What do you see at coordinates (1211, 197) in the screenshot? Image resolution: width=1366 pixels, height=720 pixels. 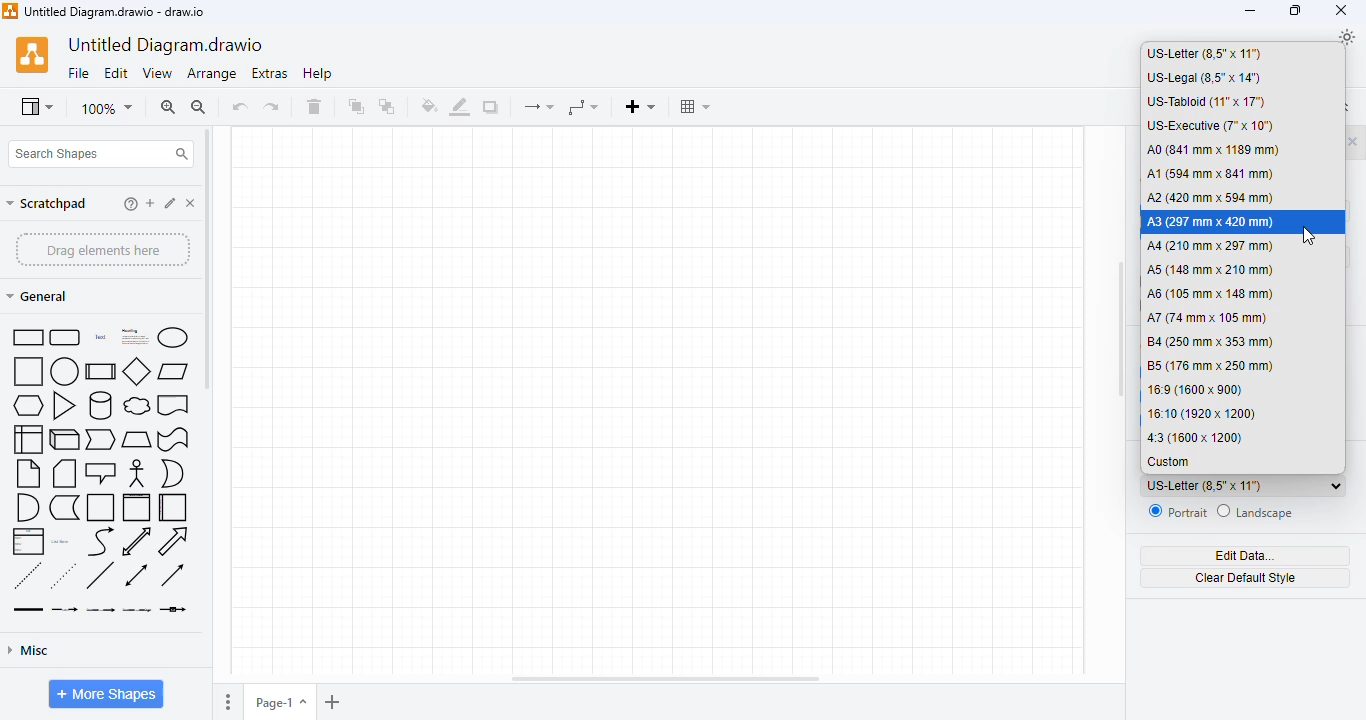 I see `A2` at bounding box center [1211, 197].